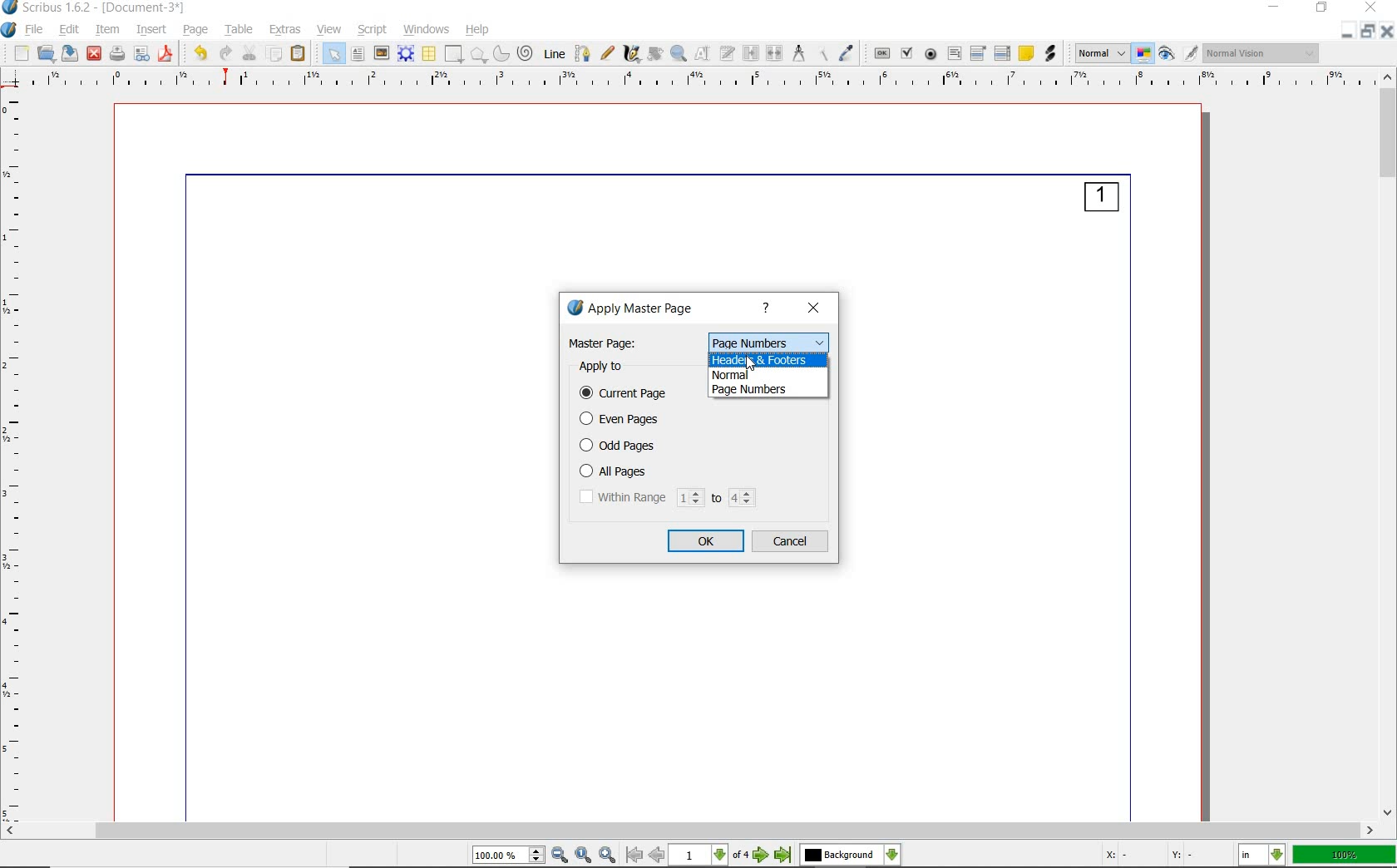 The height and width of the screenshot is (868, 1397). I want to click on open, so click(46, 52).